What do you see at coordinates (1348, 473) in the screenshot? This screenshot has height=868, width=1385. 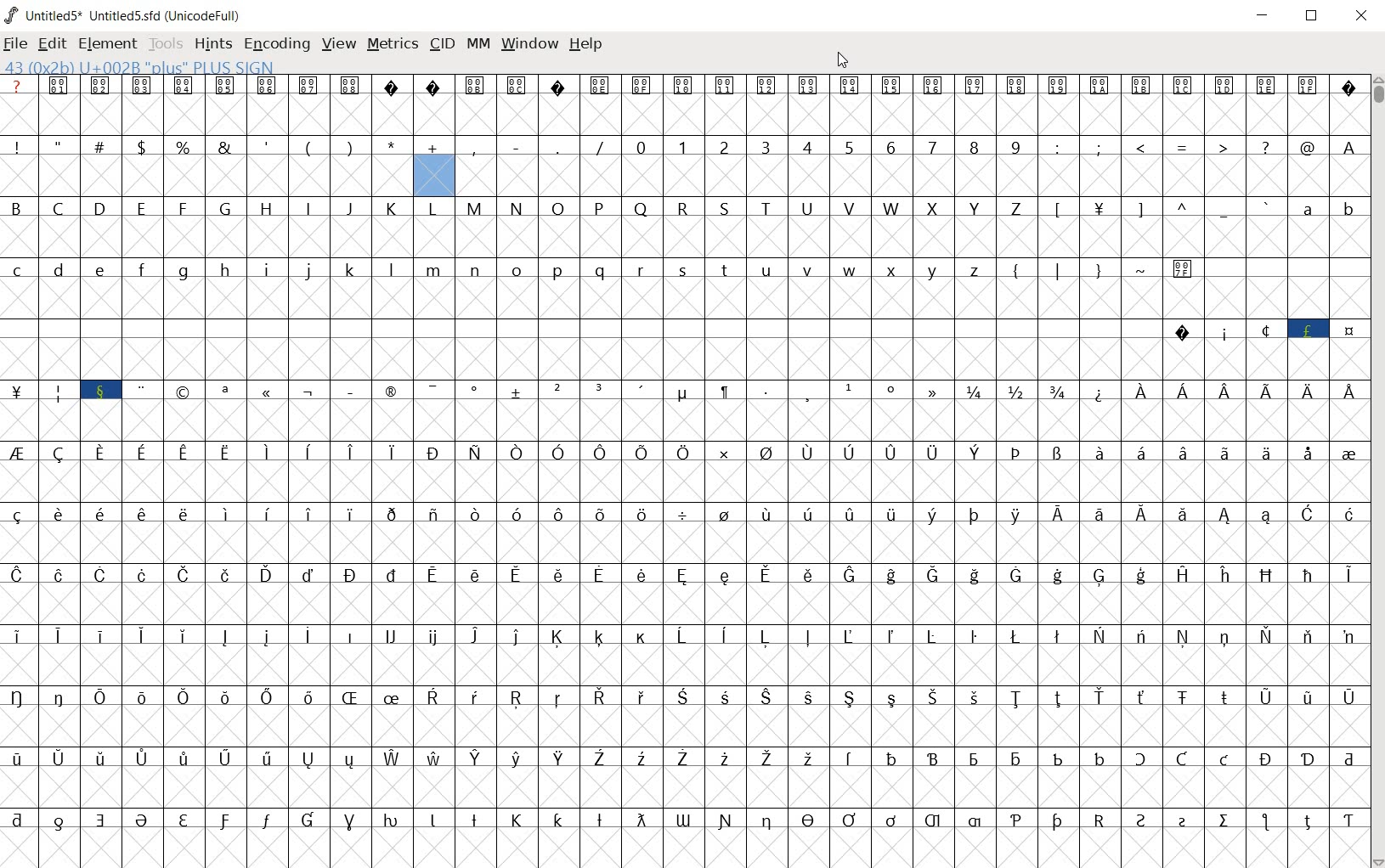 I see `special characters` at bounding box center [1348, 473].